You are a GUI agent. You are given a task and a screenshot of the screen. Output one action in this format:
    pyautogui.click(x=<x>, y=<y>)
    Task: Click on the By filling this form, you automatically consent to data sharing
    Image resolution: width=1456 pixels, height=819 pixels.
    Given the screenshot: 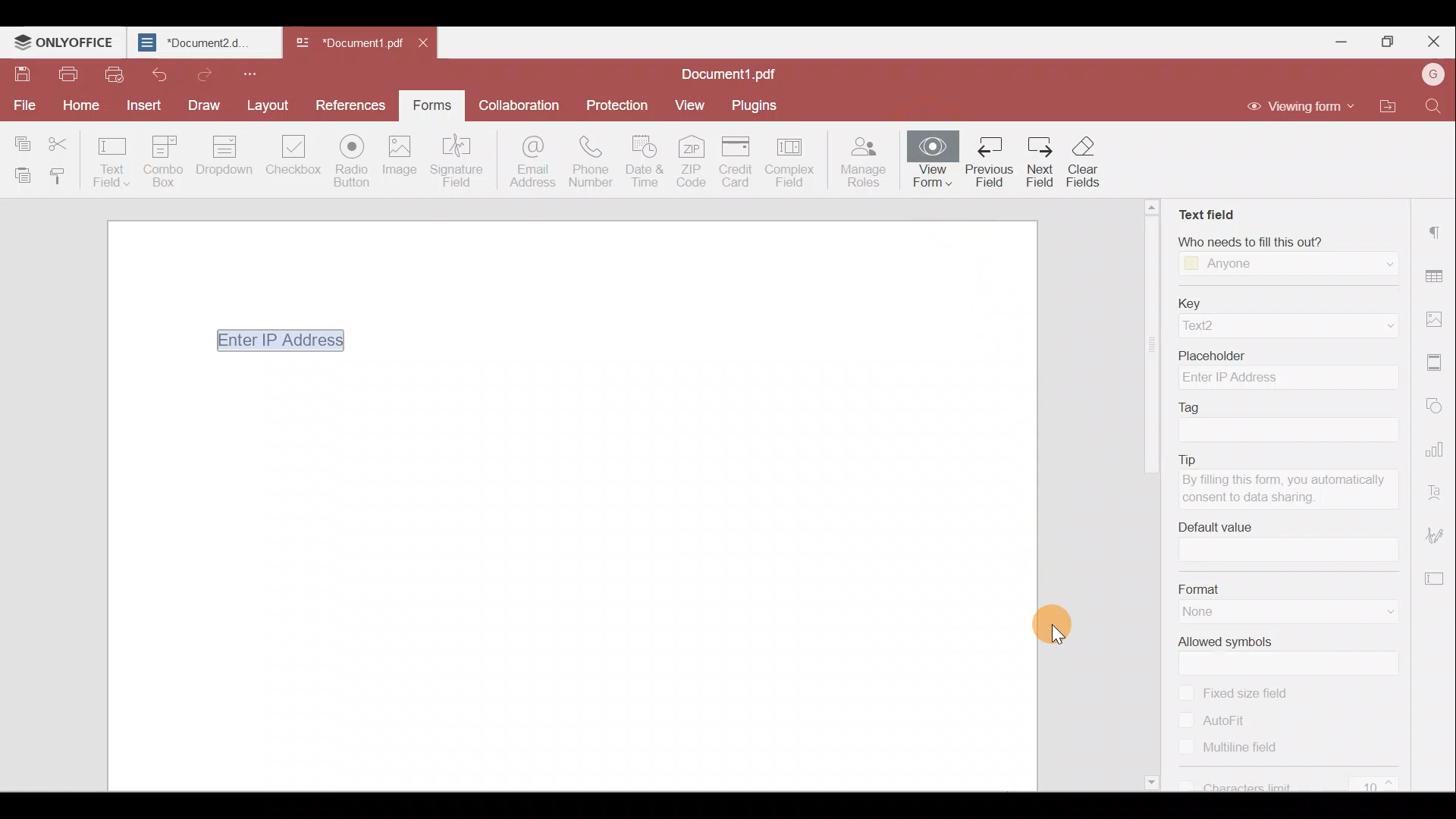 What is the action you would take?
    pyautogui.click(x=1288, y=491)
    